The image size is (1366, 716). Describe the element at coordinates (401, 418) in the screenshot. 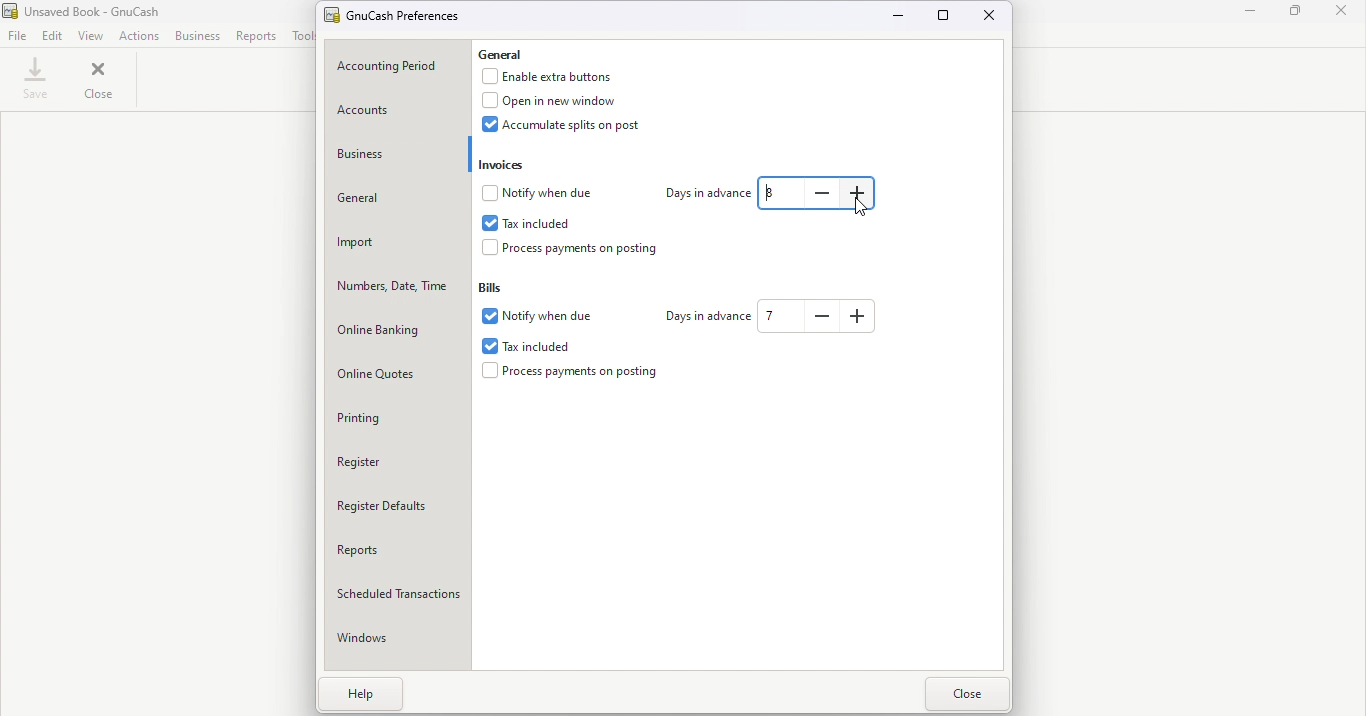

I see `Printing` at that location.